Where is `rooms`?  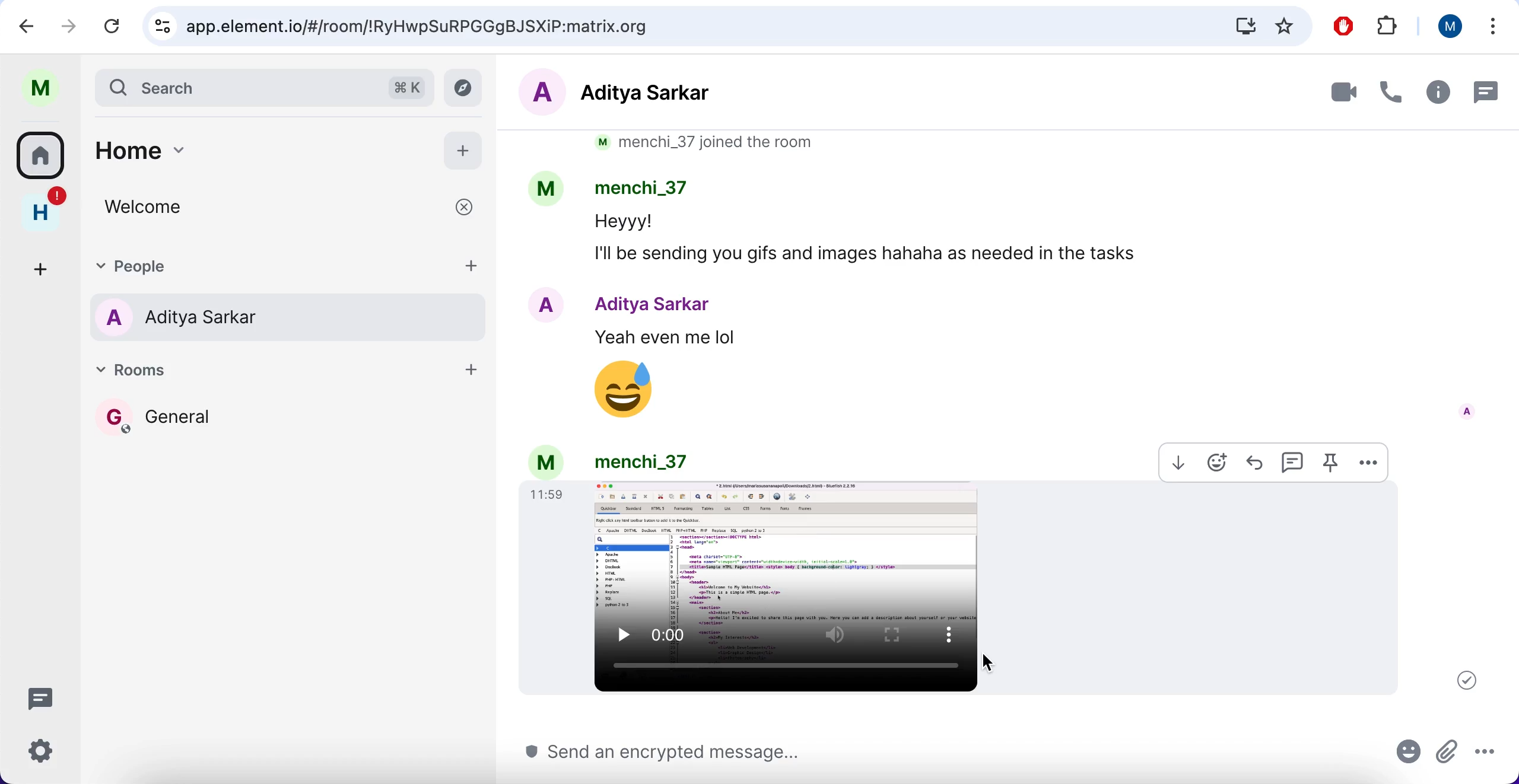
rooms is located at coordinates (255, 375).